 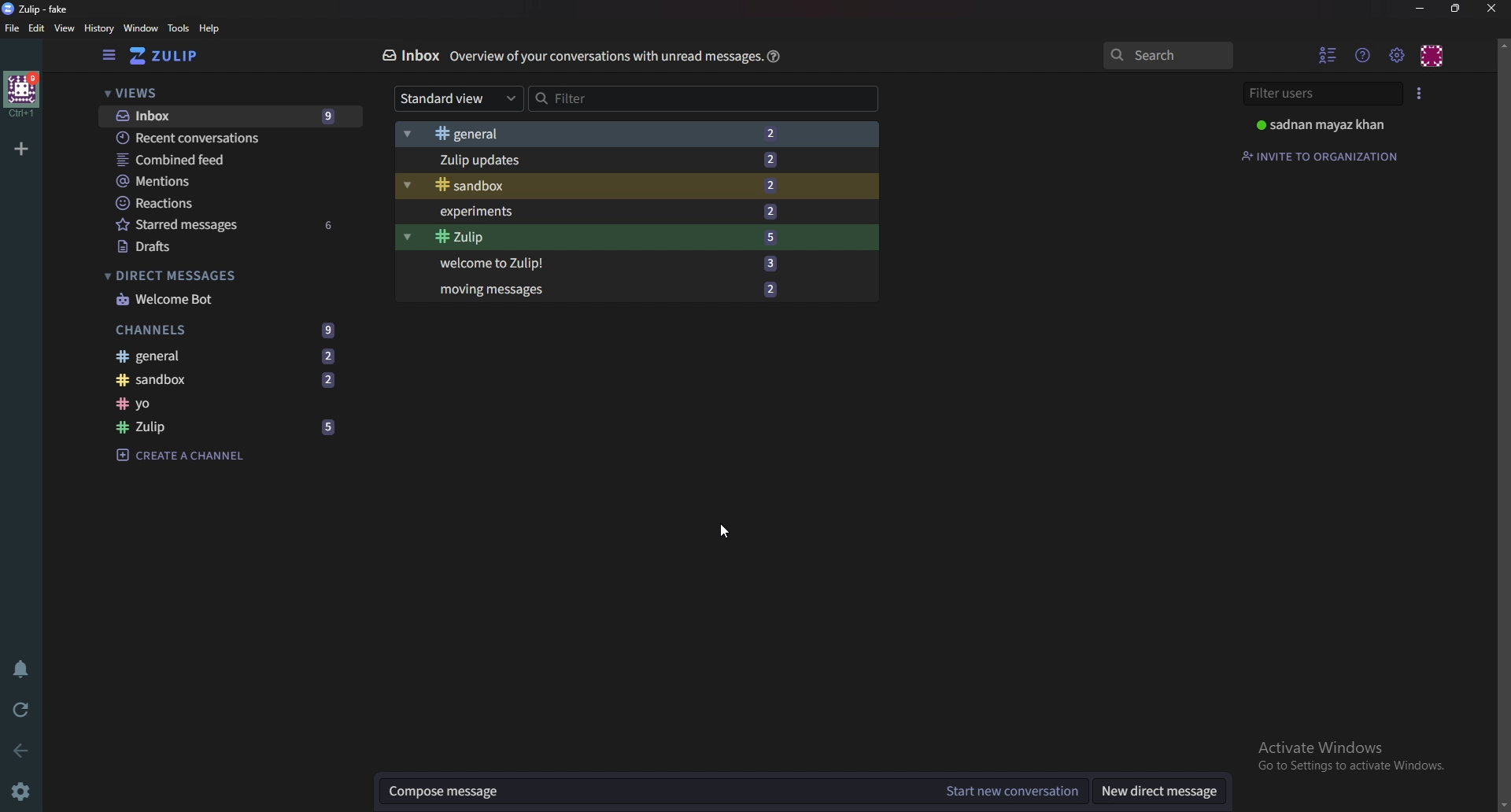 What do you see at coordinates (619, 161) in the screenshot?
I see `zulip updates` at bounding box center [619, 161].